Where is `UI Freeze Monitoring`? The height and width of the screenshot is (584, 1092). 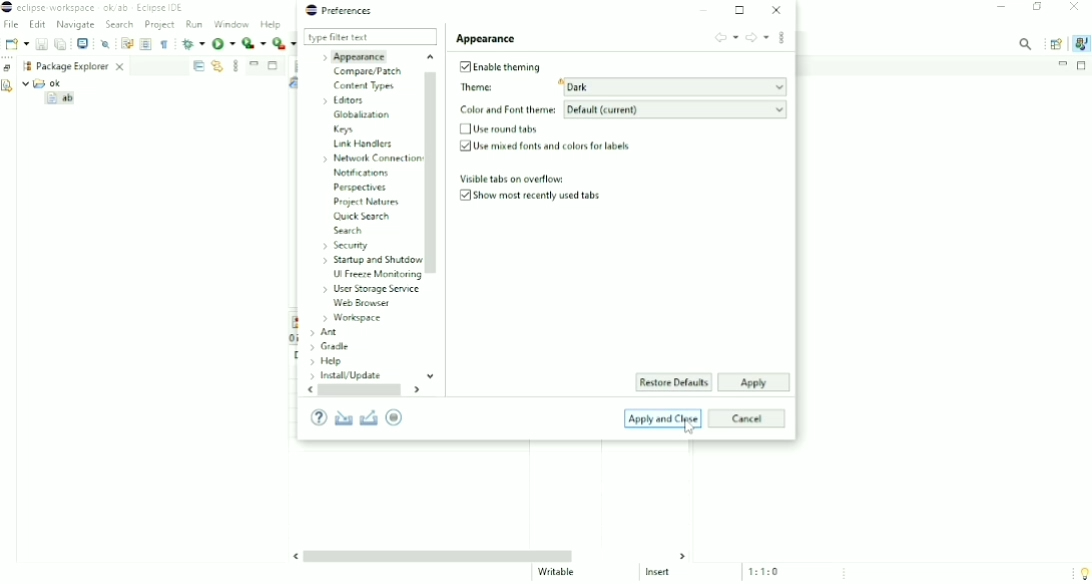
UI Freeze Monitoring is located at coordinates (375, 276).